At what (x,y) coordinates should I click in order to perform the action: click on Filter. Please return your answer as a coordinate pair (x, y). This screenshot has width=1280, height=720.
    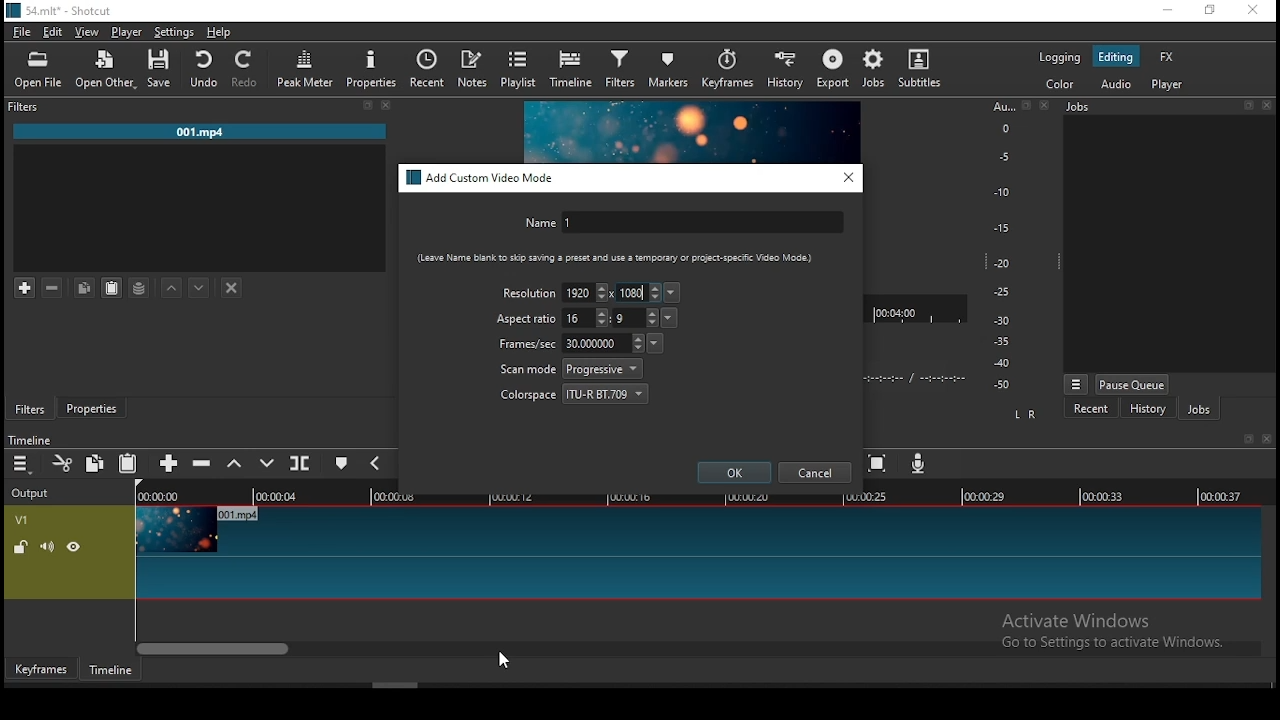
    Looking at the image, I should click on (26, 107).